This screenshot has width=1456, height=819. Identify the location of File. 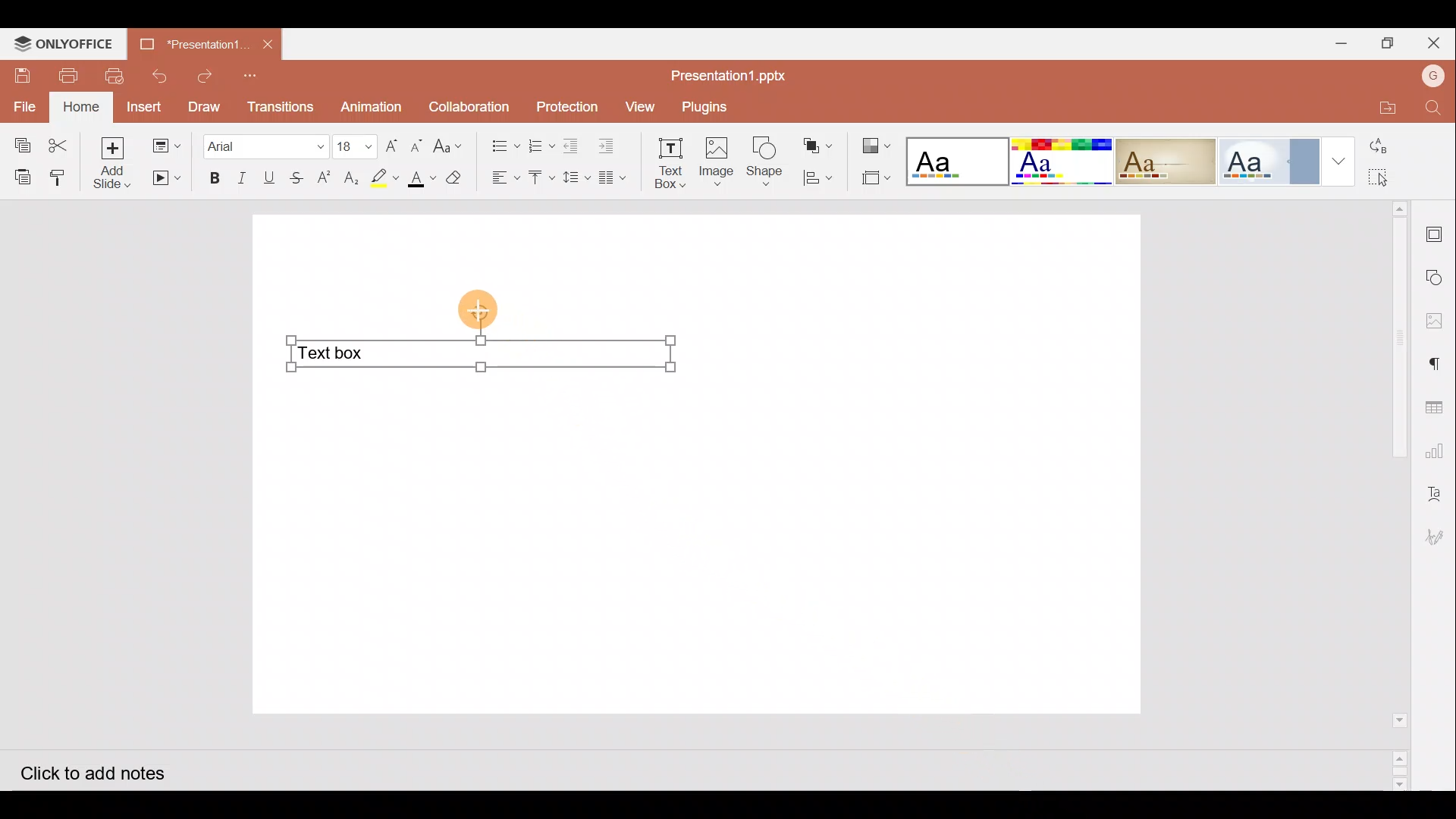
(26, 105).